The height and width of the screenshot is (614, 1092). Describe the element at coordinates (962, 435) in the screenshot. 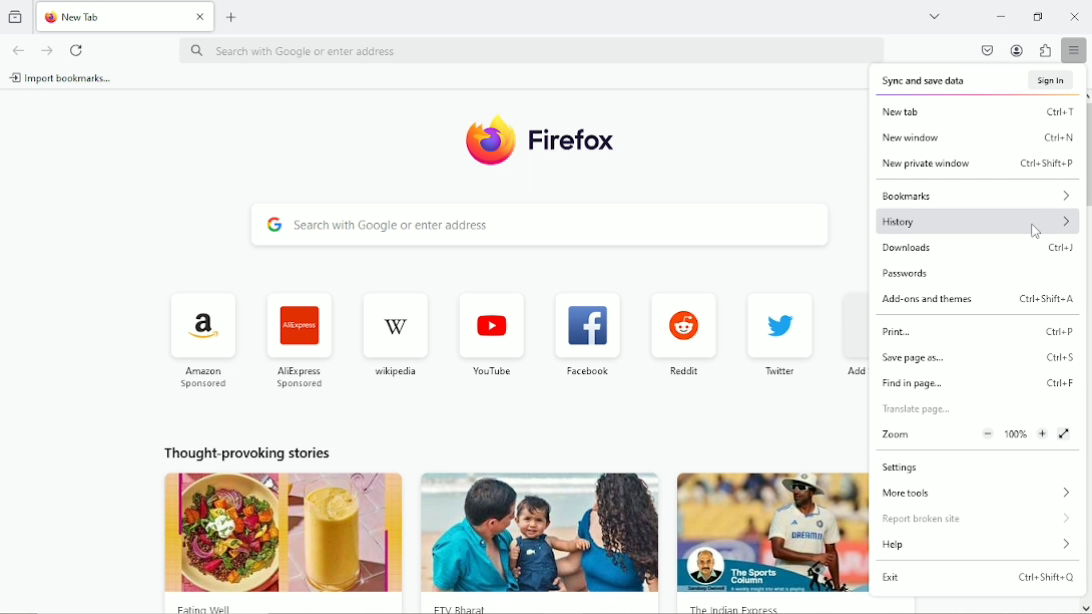

I see `zoom` at that location.